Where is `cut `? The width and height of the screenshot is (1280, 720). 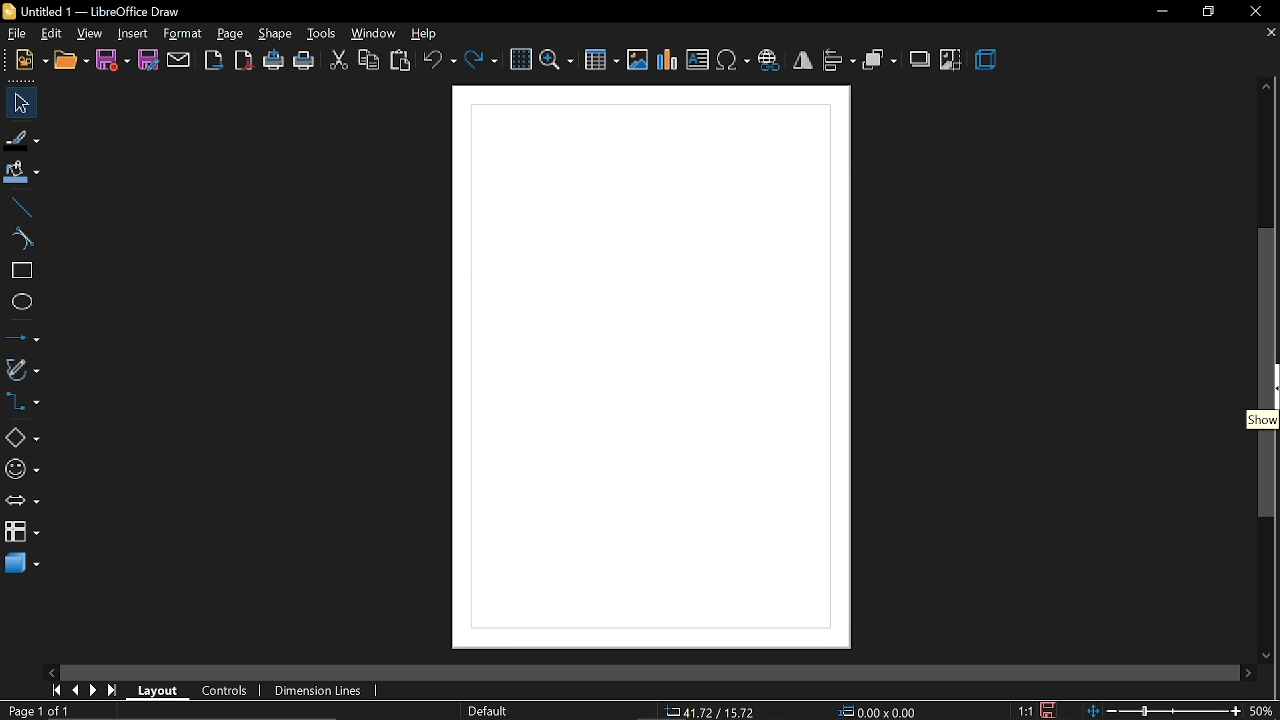
cut  is located at coordinates (338, 60).